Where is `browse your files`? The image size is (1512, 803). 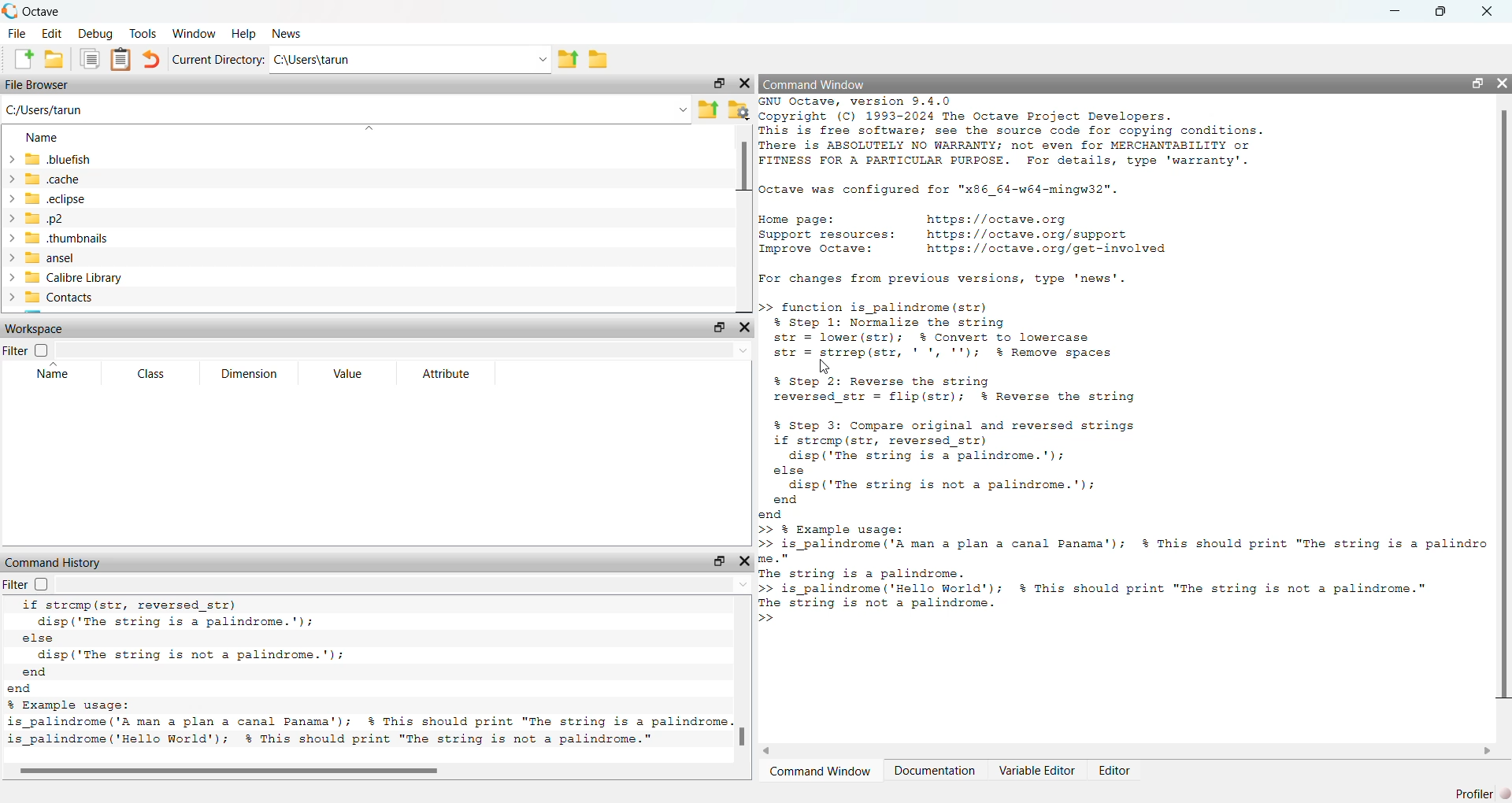
browse your files is located at coordinates (739, 111).